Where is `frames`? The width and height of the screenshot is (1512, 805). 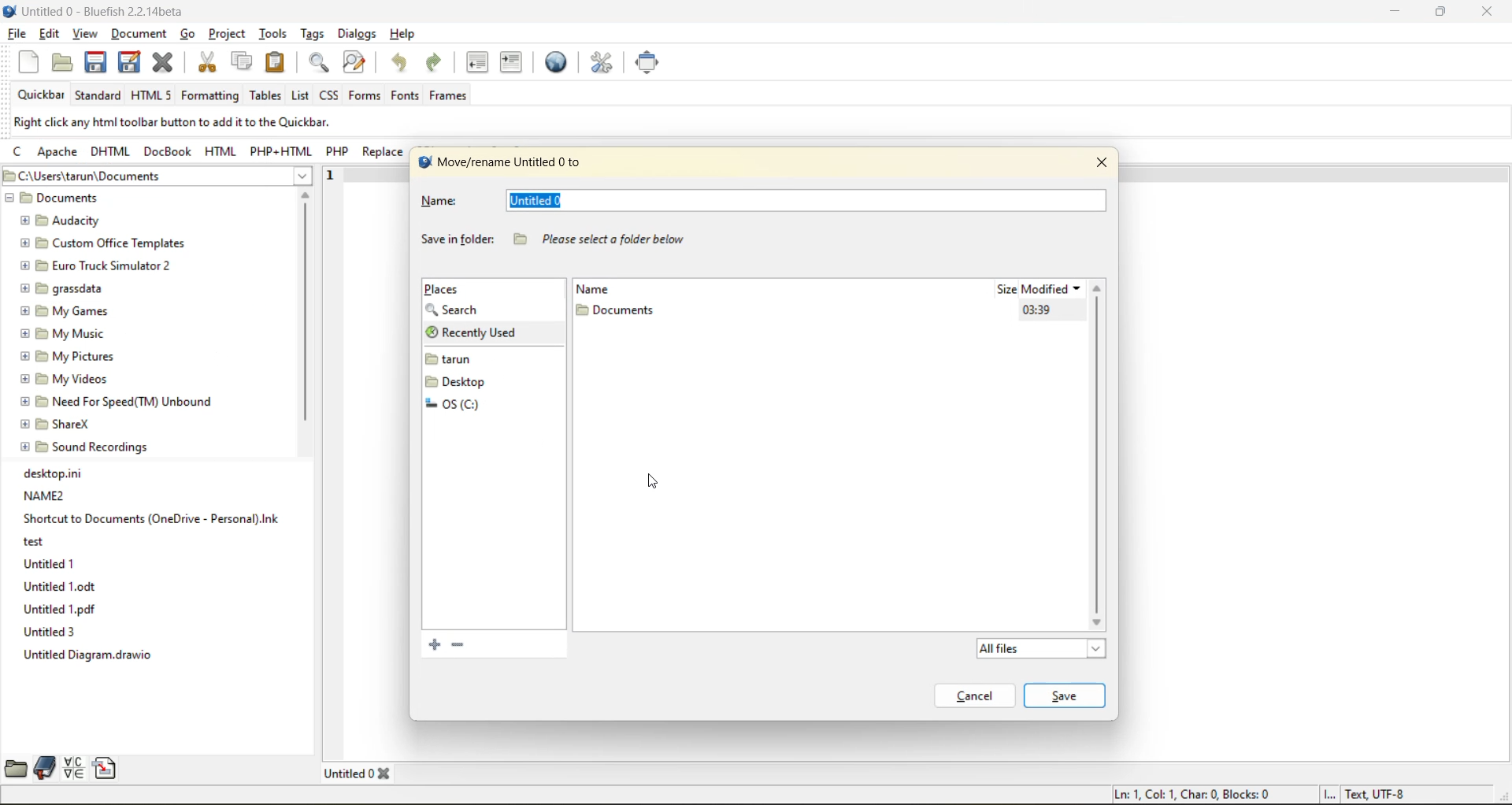
frames is located at coordinates (456, 98).